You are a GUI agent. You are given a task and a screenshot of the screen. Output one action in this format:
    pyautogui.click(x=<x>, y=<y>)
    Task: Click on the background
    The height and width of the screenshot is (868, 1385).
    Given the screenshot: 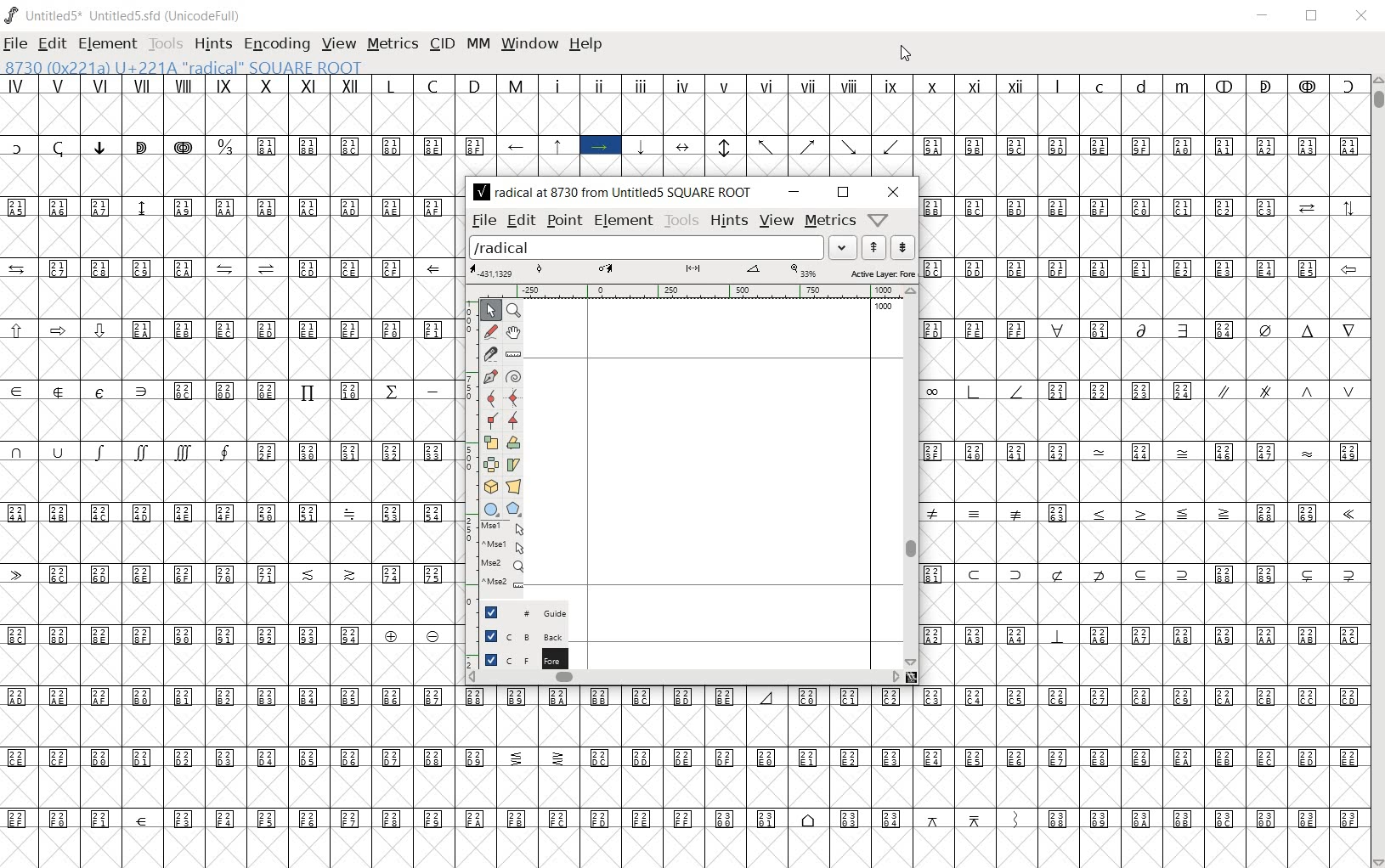 What is the action you would take?
    pyautogui.click(x=516, y=636)
    